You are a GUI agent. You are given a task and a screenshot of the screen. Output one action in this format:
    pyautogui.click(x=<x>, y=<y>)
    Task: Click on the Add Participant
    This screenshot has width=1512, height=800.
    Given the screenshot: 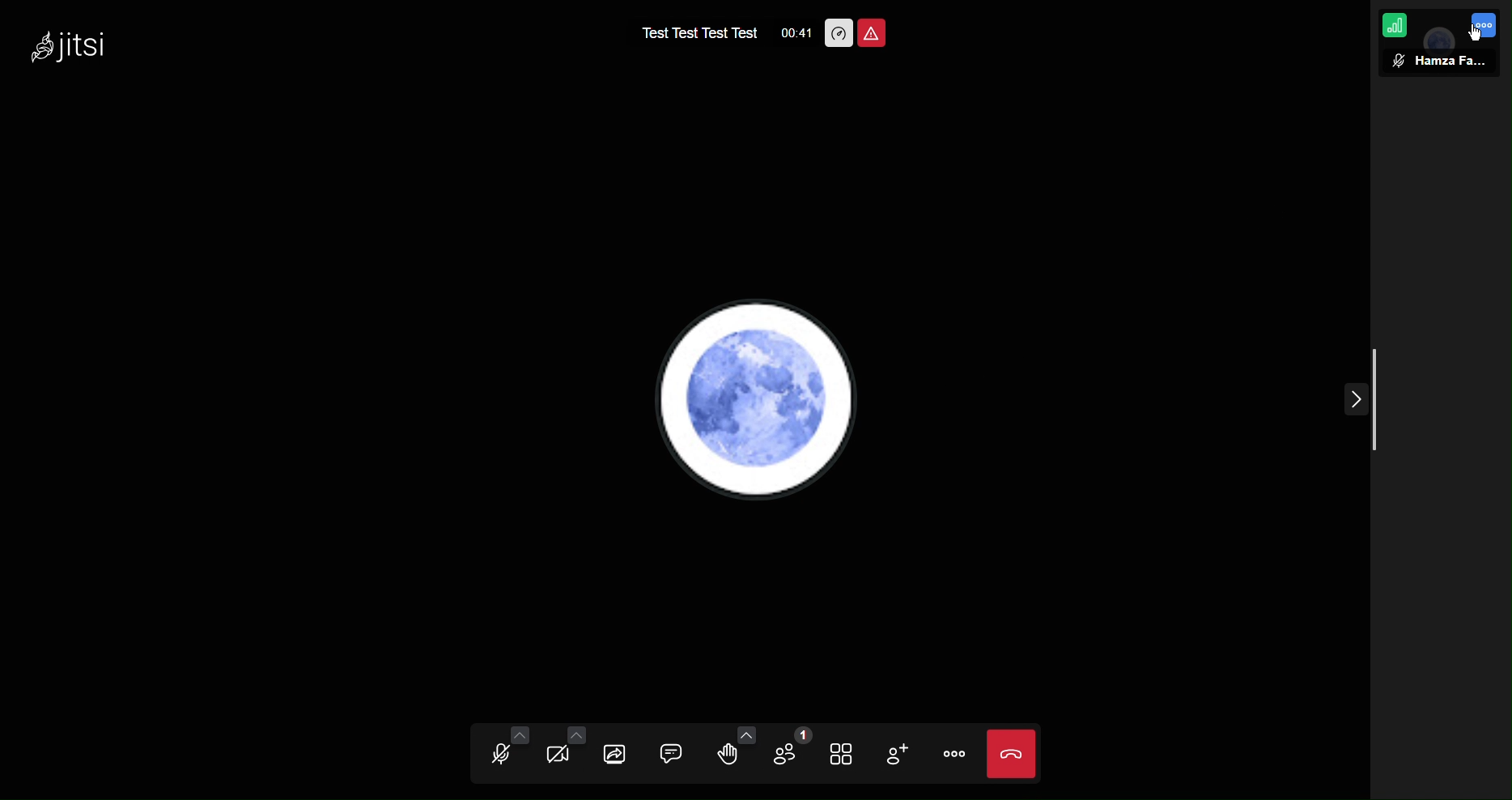 What is the action you would take?
    pyautogui.click(x=894, y=752)
    